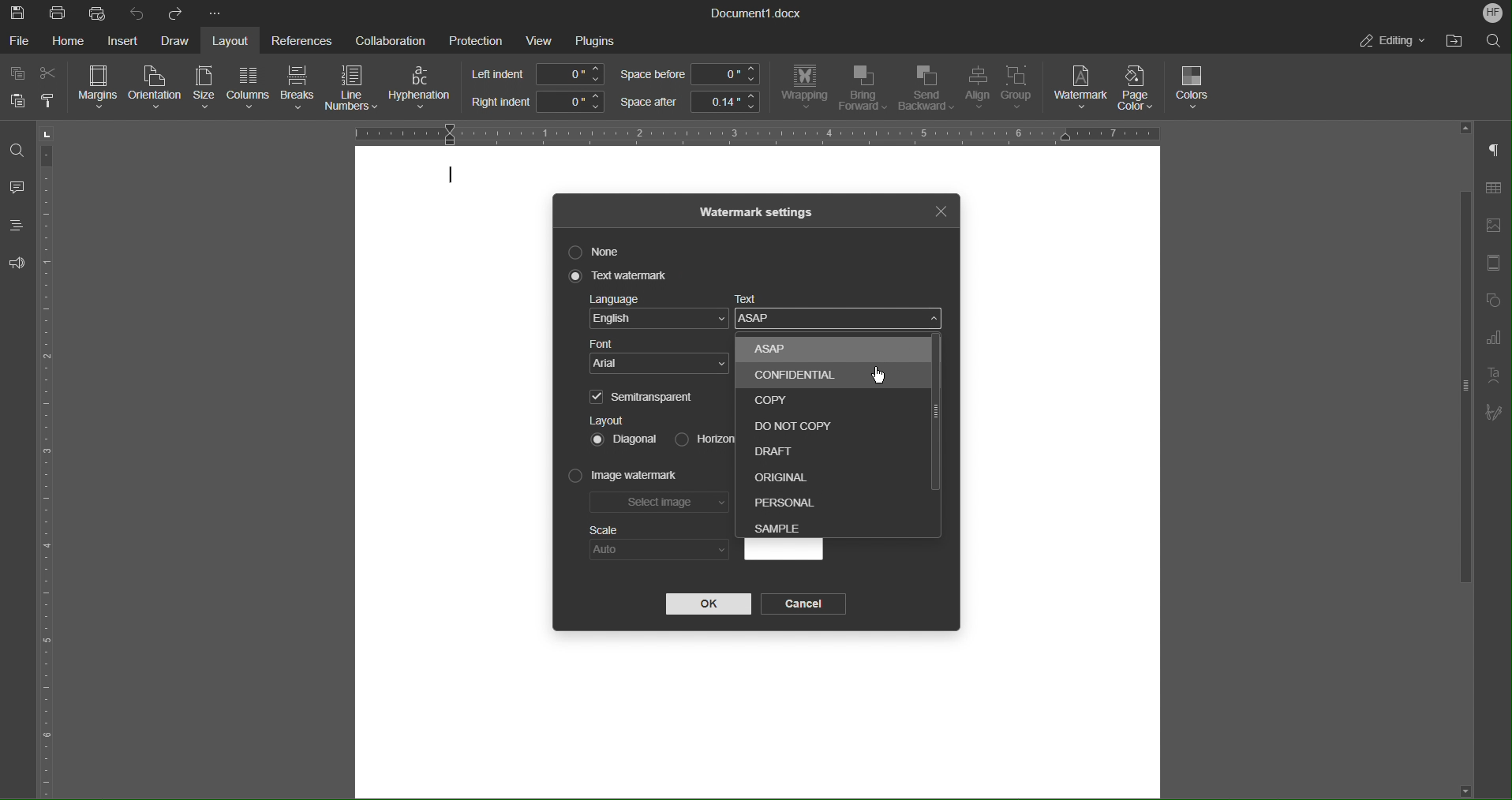 The height and width of the screenshot is (800, 1512). What do you see at coordinates (767, 399) in the screenshot?
I see `Copy` at bounding box center [767, 399].